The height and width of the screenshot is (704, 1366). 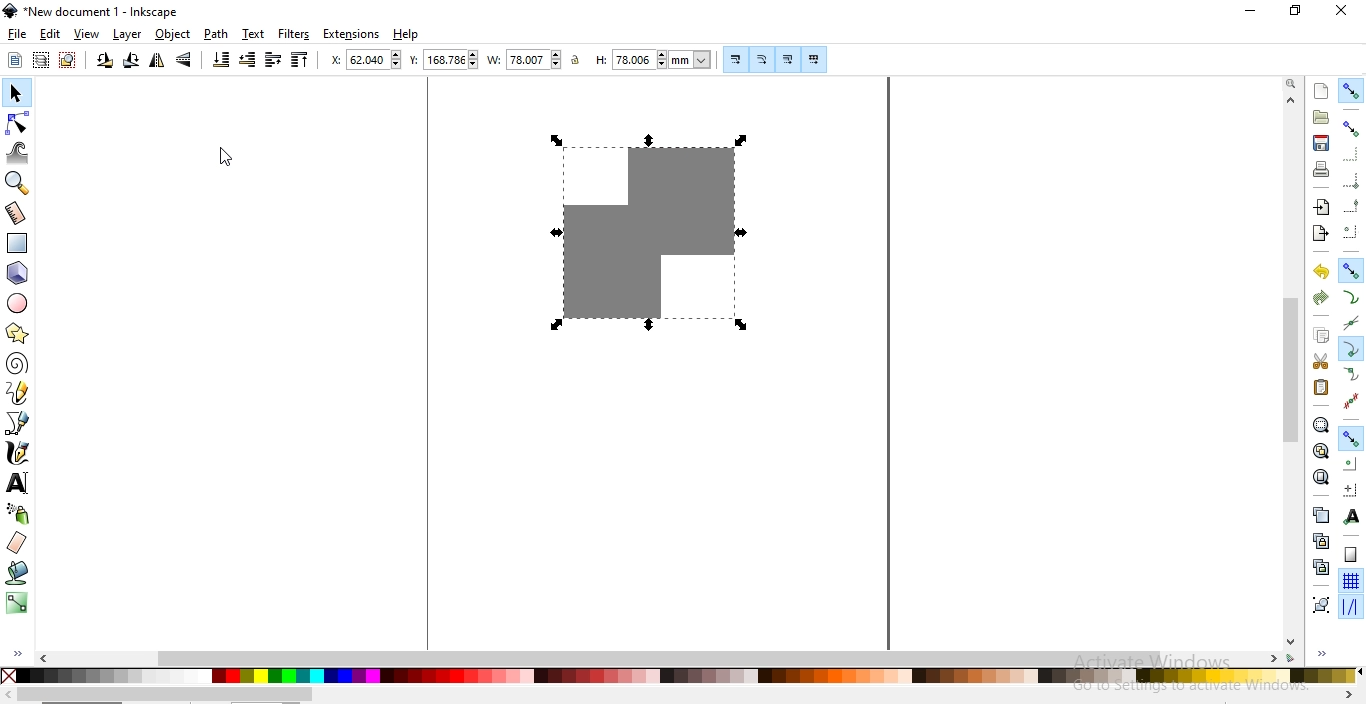 I want to click on raise selection to top, so click(x=300, y=62).